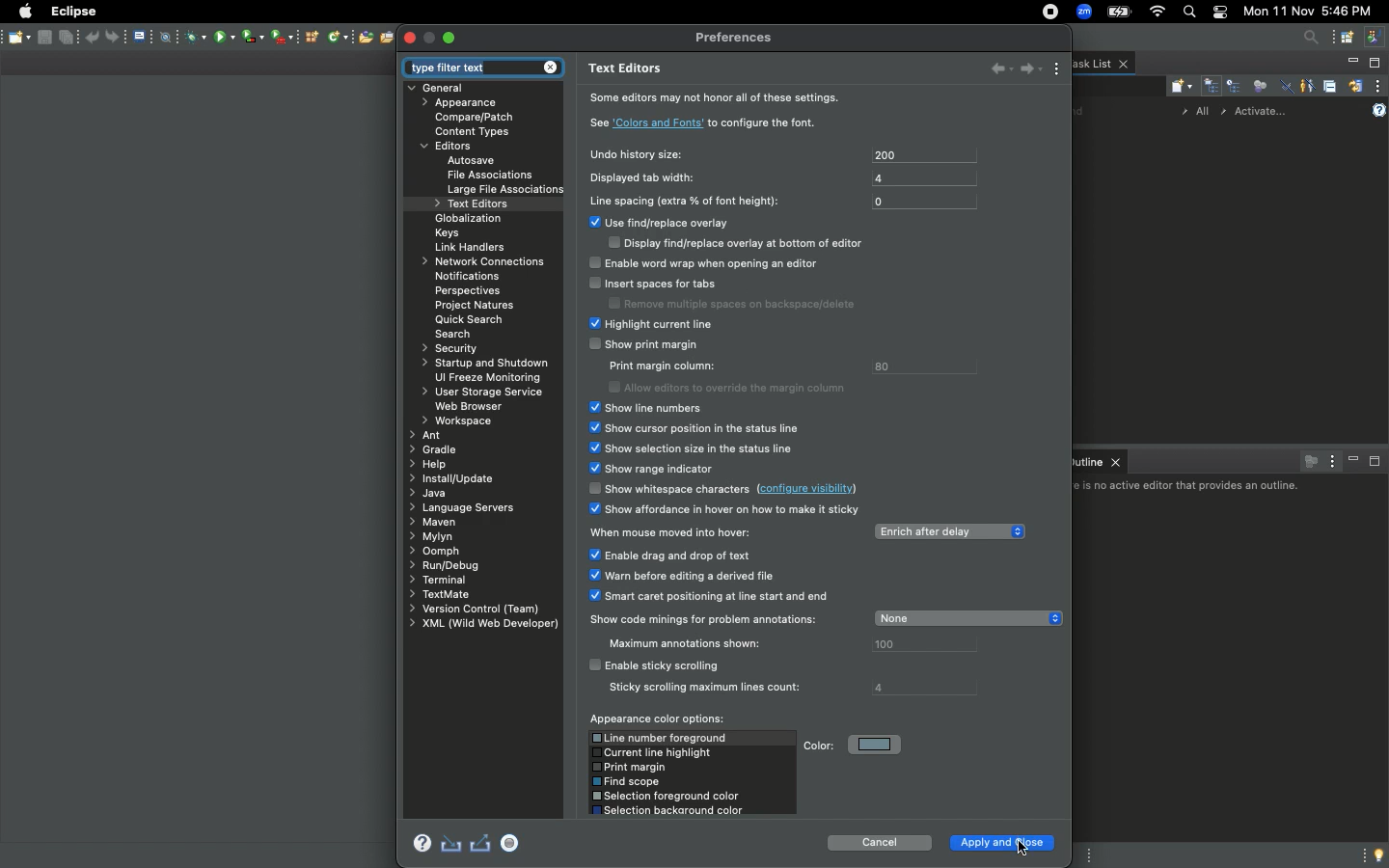 The height and width of the screenshot is (868, 1389). I want to click on Show print margin, so click(717, 367).